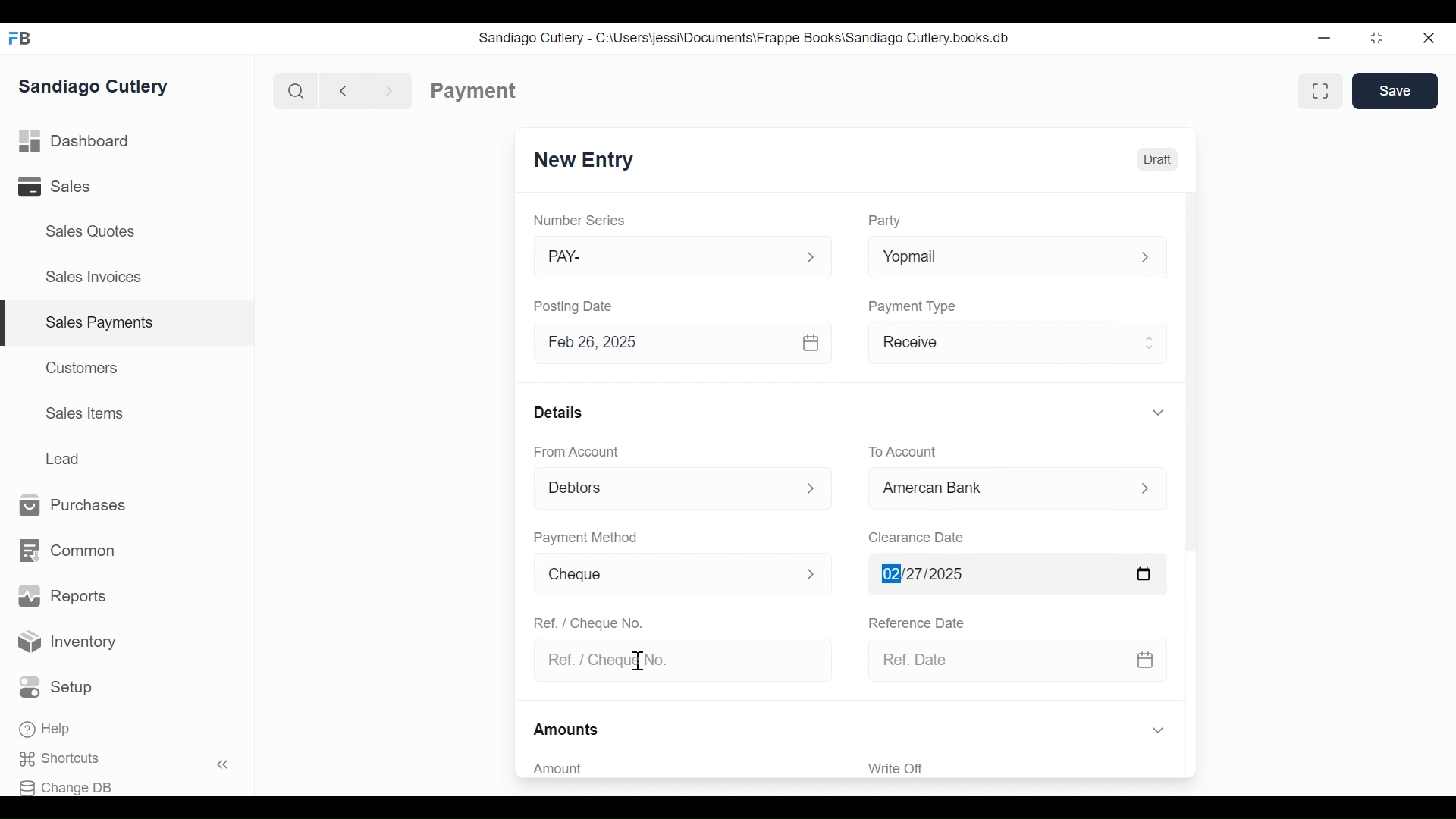  Describe the element at coordinates (744, 37) in the screenshot. I see `Sandiago Cutlery - C:\Users\jessi\Documents\Frappe Books\Sandiago Cutlery.books.db` at that location.